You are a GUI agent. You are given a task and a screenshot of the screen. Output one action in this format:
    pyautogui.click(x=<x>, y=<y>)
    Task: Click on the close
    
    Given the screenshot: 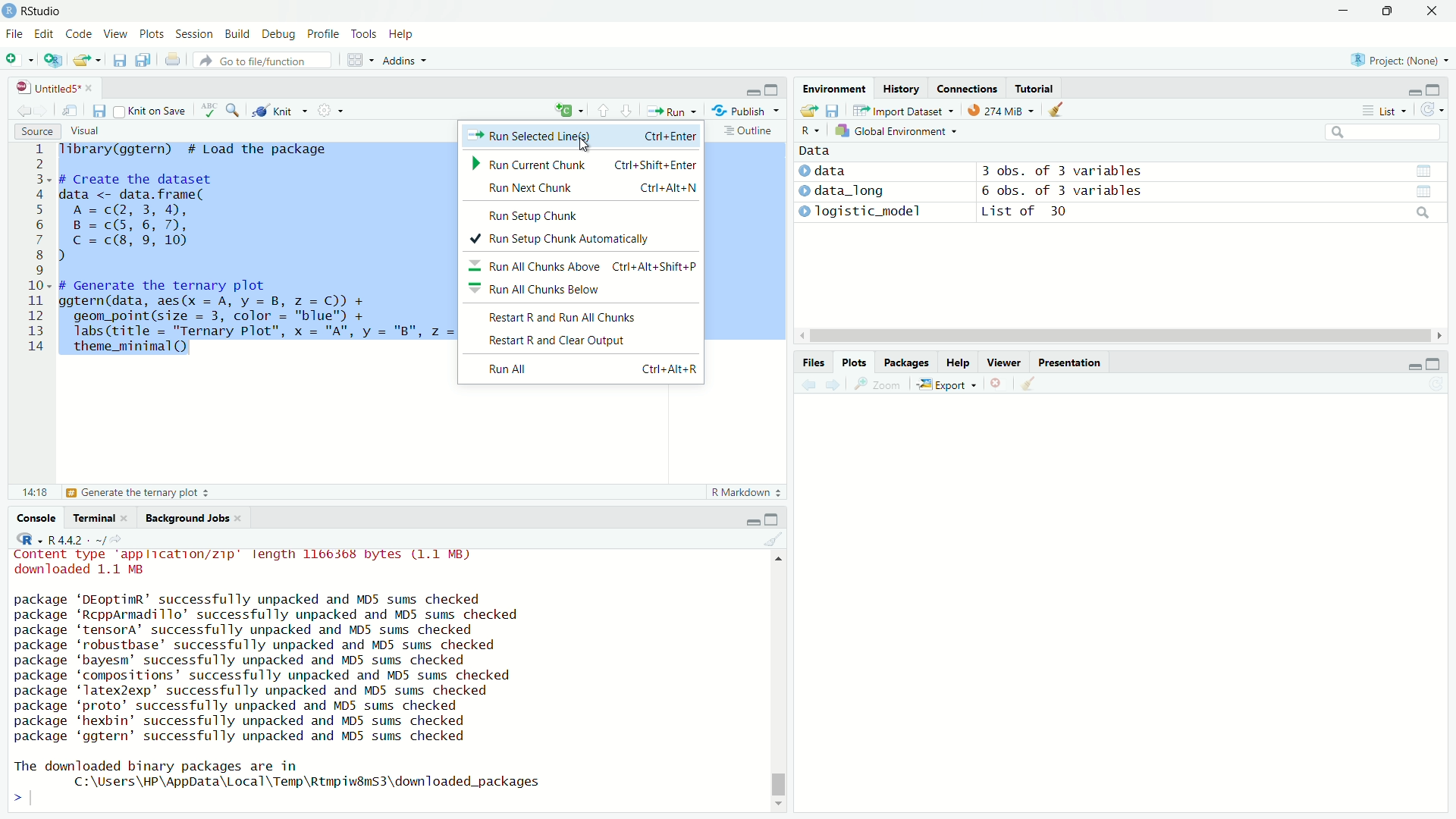 What is the action you would take?
    pyautogui.click(x=994, y=384)
    